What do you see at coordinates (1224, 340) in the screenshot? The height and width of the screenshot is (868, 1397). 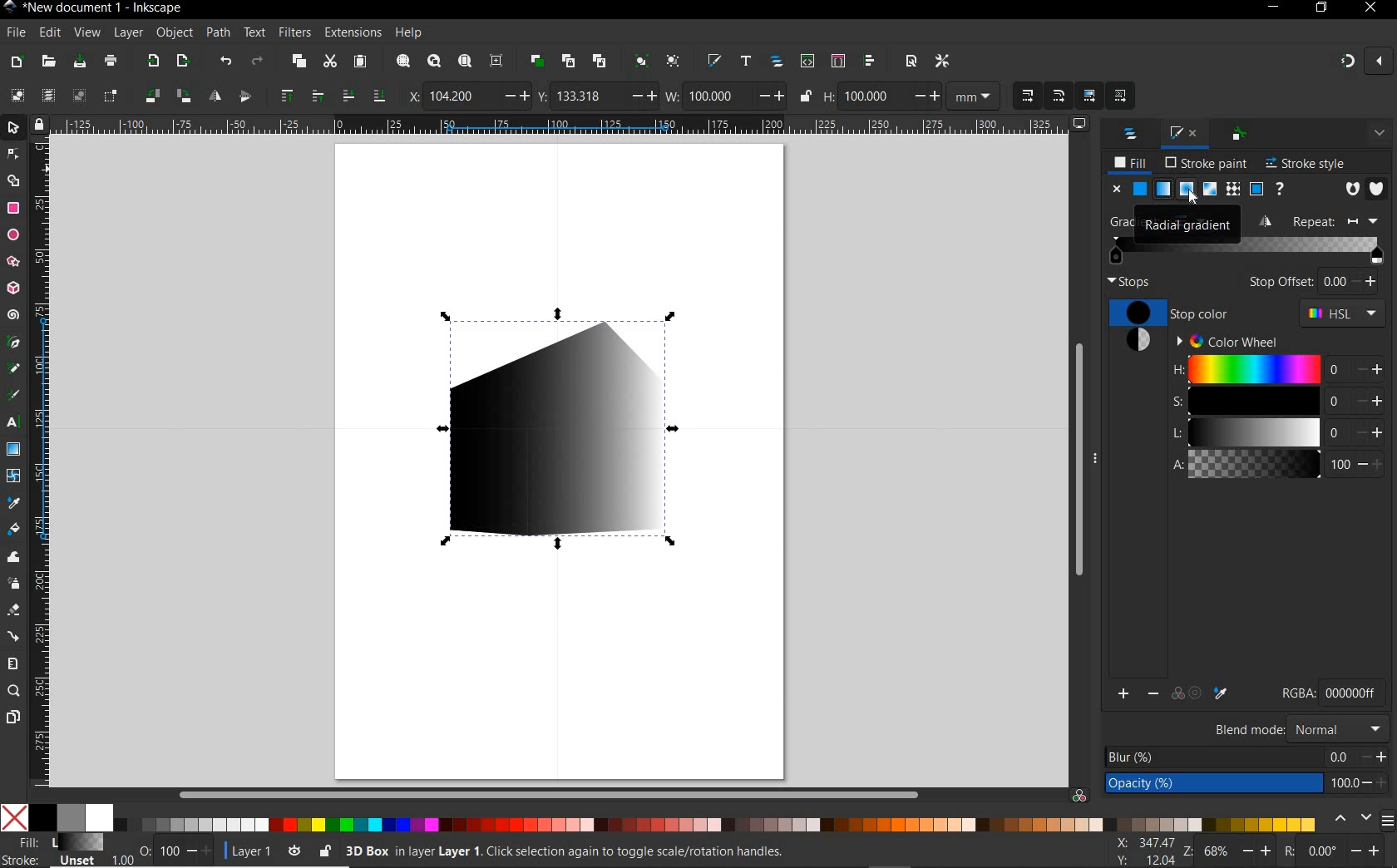 I see `color wheel` at bounding box center [1224, 340].